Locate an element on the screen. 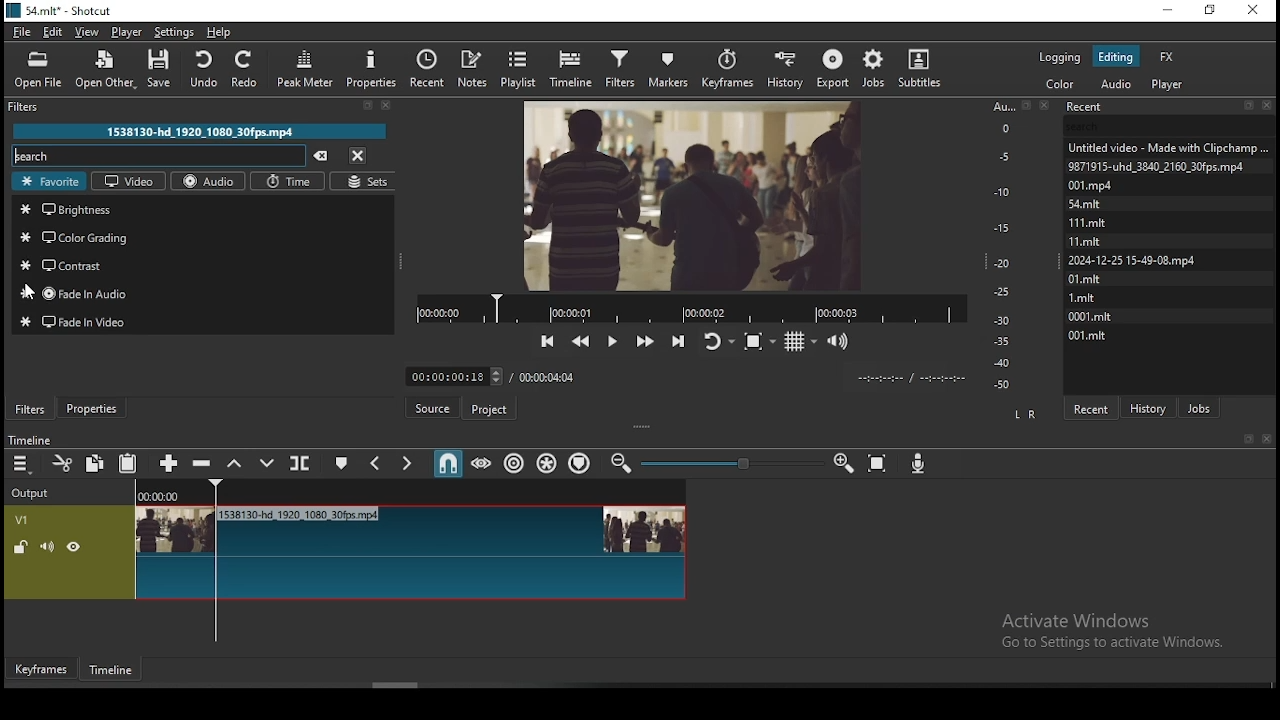  video track is located at coordinates (344, 550).